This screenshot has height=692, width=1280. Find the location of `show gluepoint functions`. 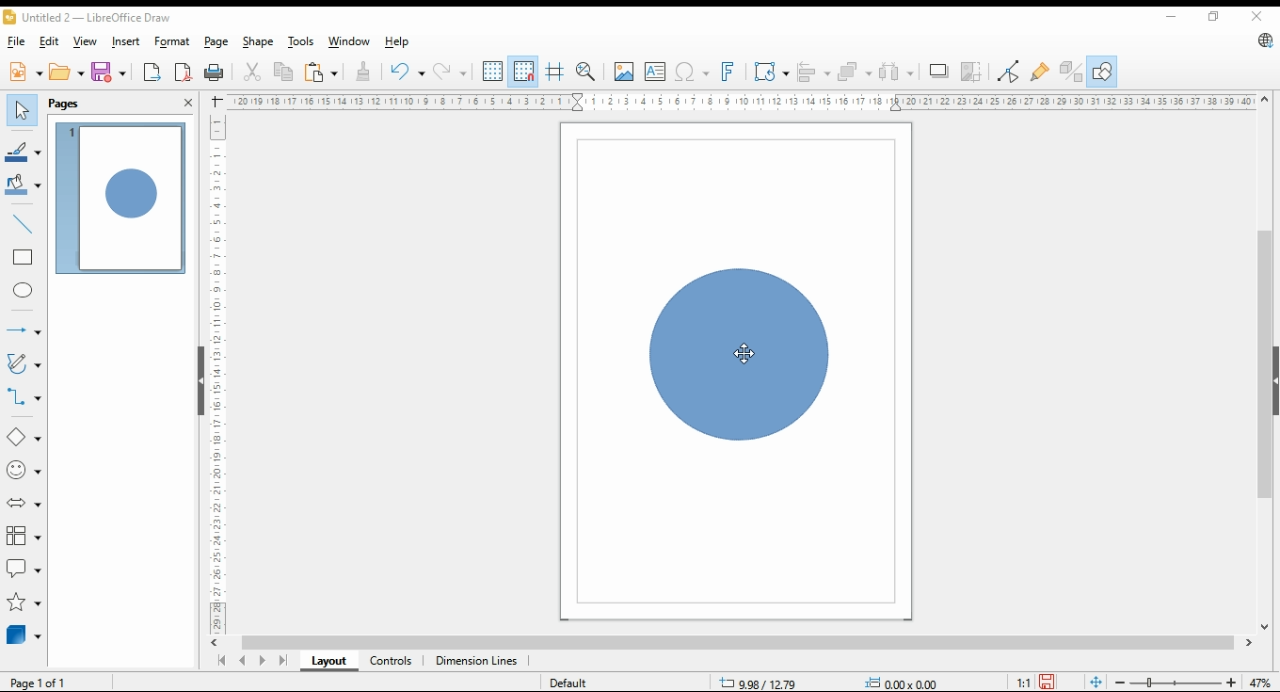

show gluepoint functions is located at coordinates (1043, 70).